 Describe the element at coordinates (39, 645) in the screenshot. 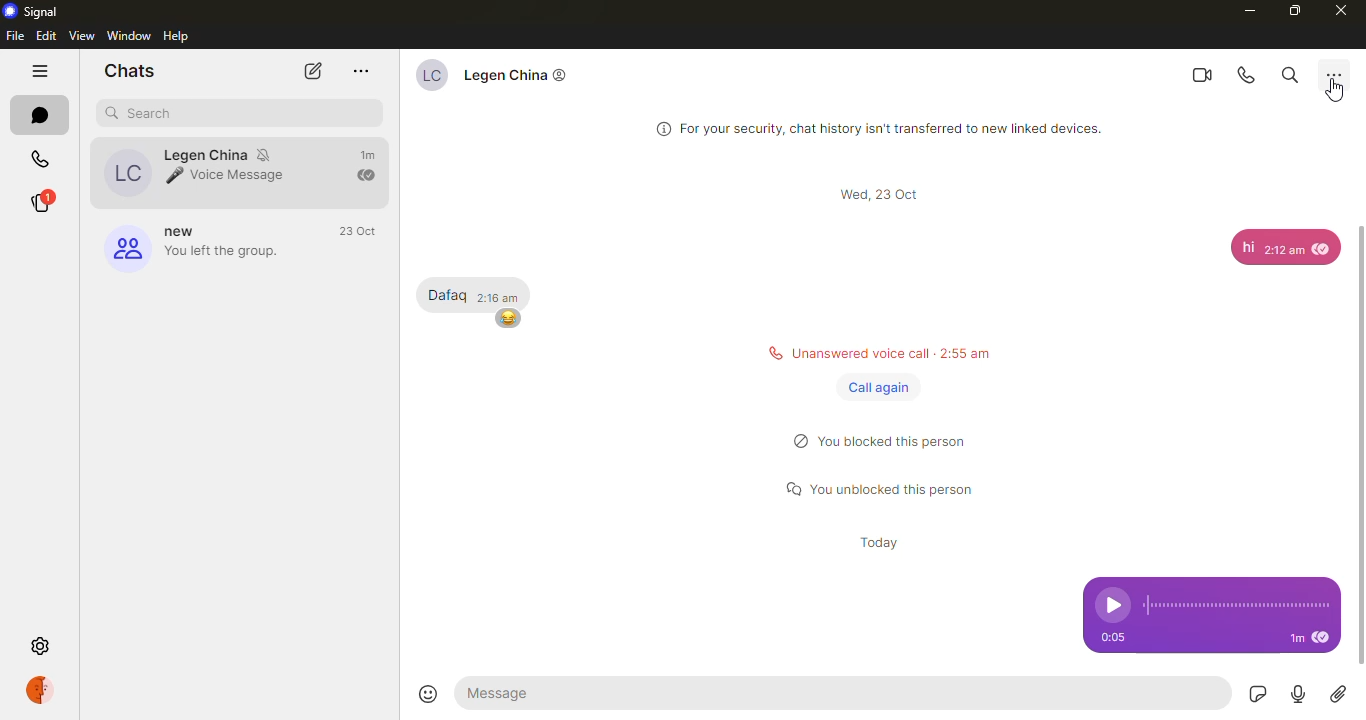

I see `settings` at that location.